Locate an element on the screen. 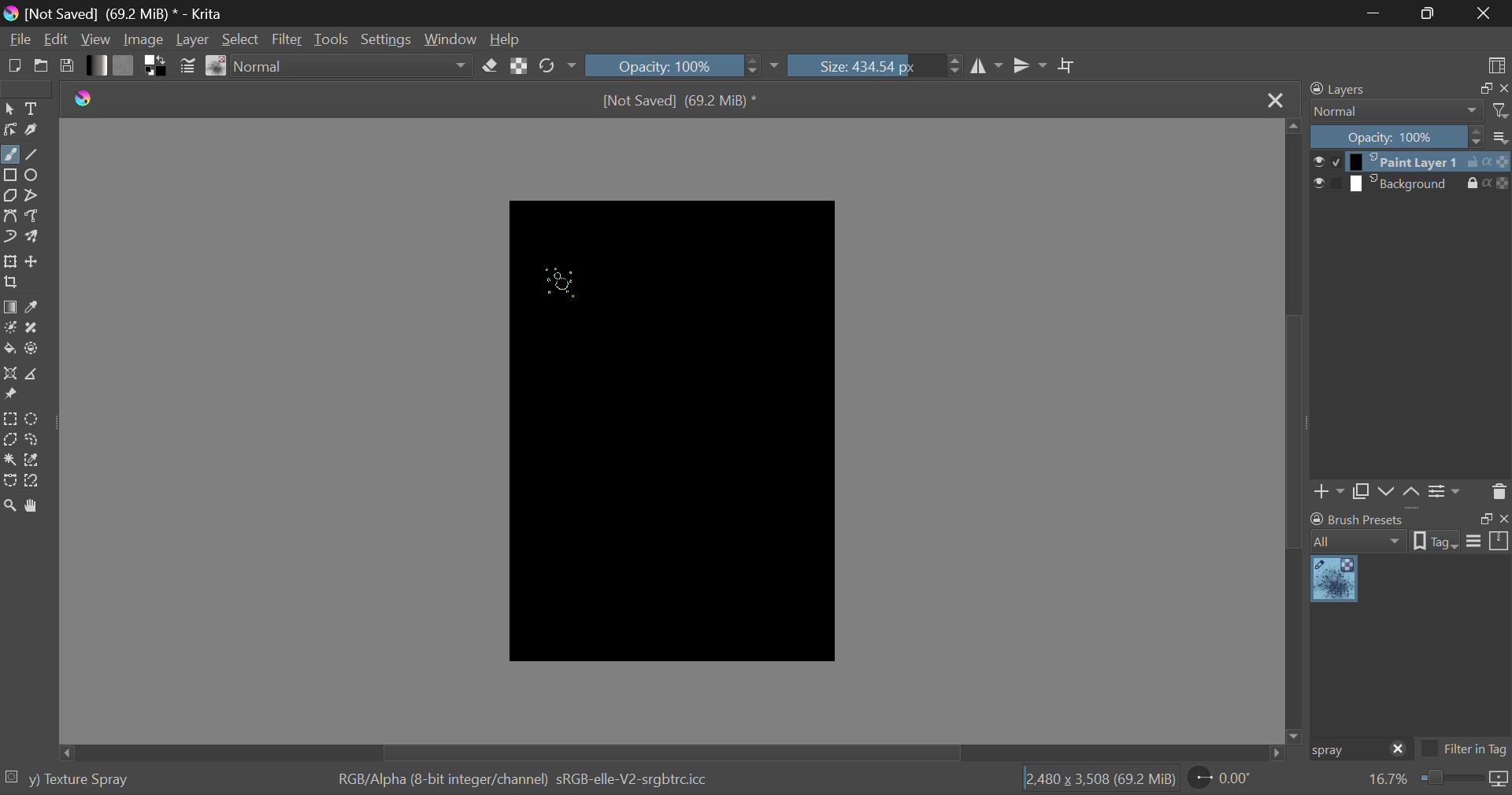 The height and width of the screenshot is (795, 1512). checkbox is located at coordinates (1326, 161).